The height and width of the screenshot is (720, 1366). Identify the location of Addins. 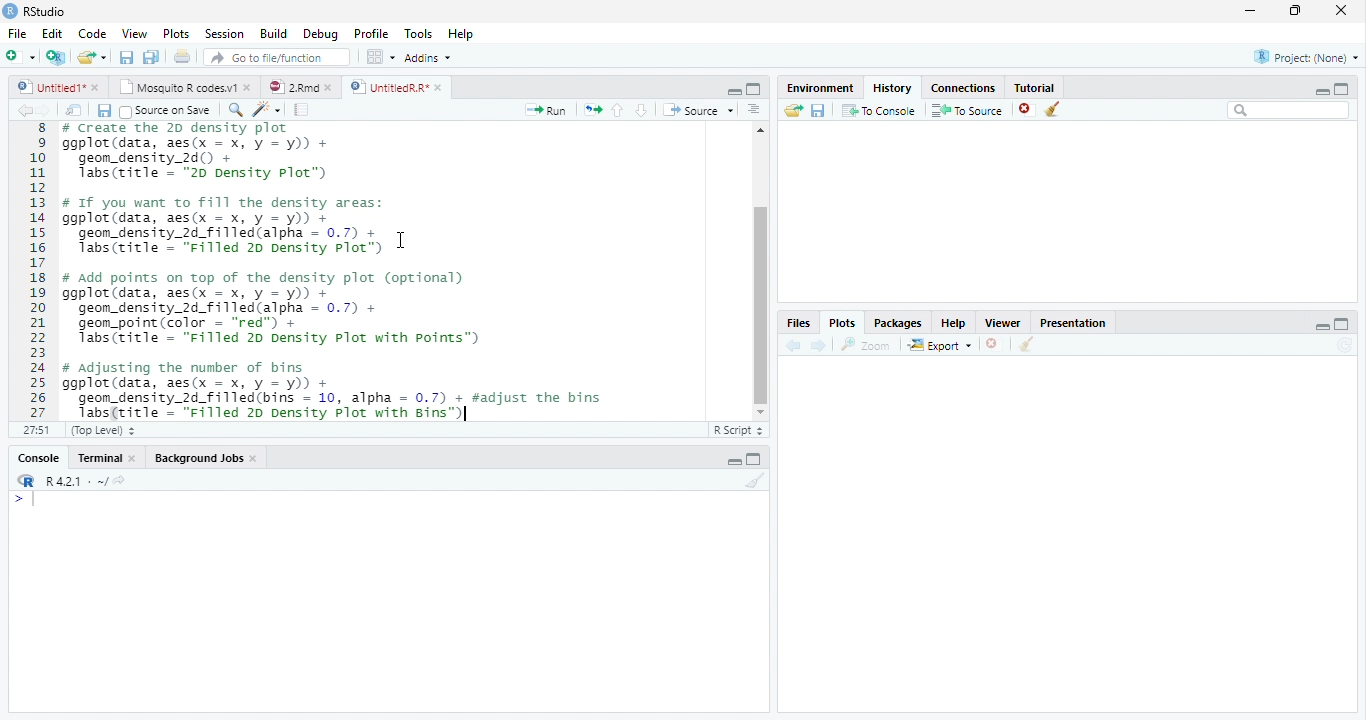
(427, 57).